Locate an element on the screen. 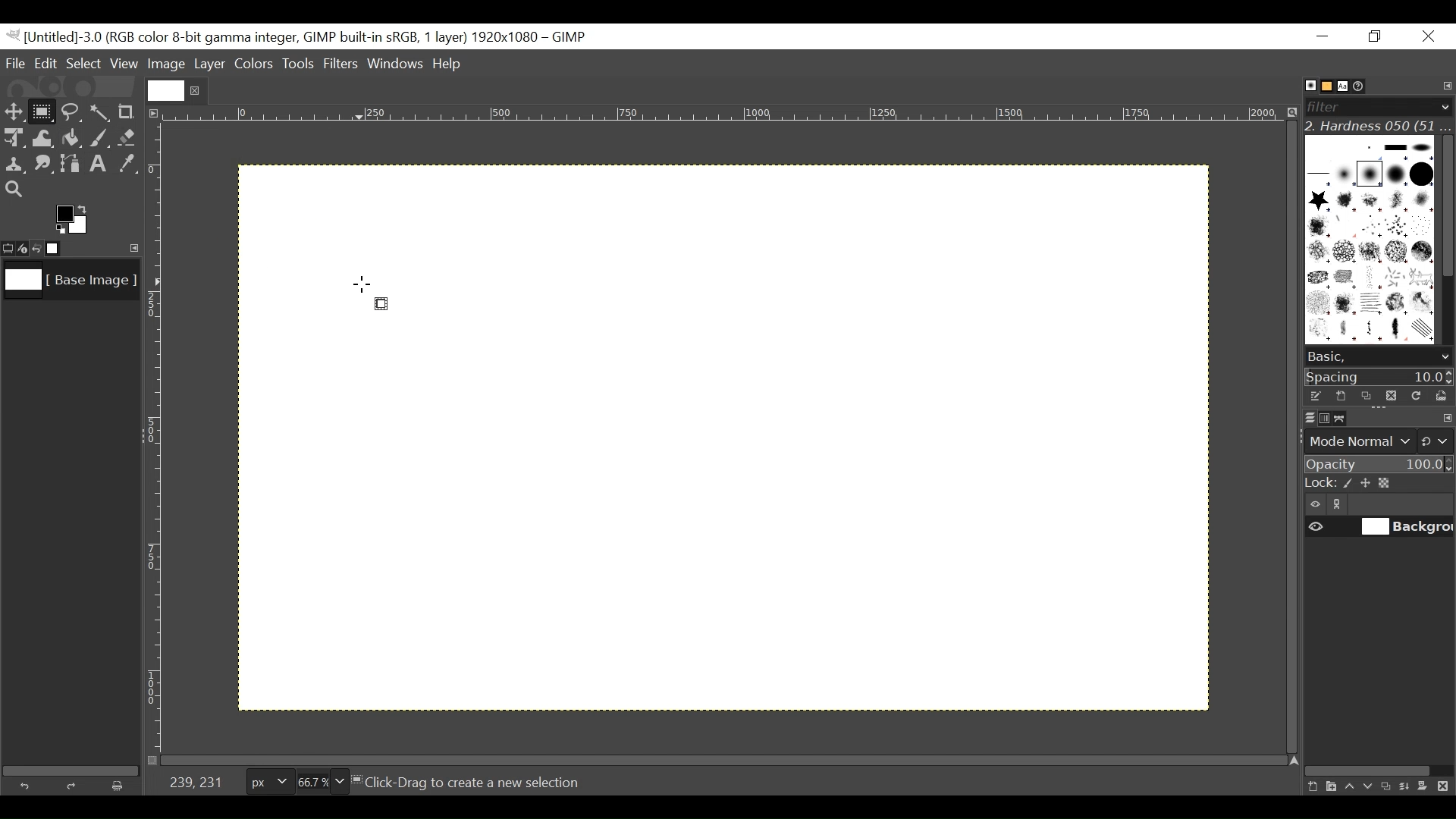 This screenshot has width=1456, height=819. Images is located at coordinates (63, 249).